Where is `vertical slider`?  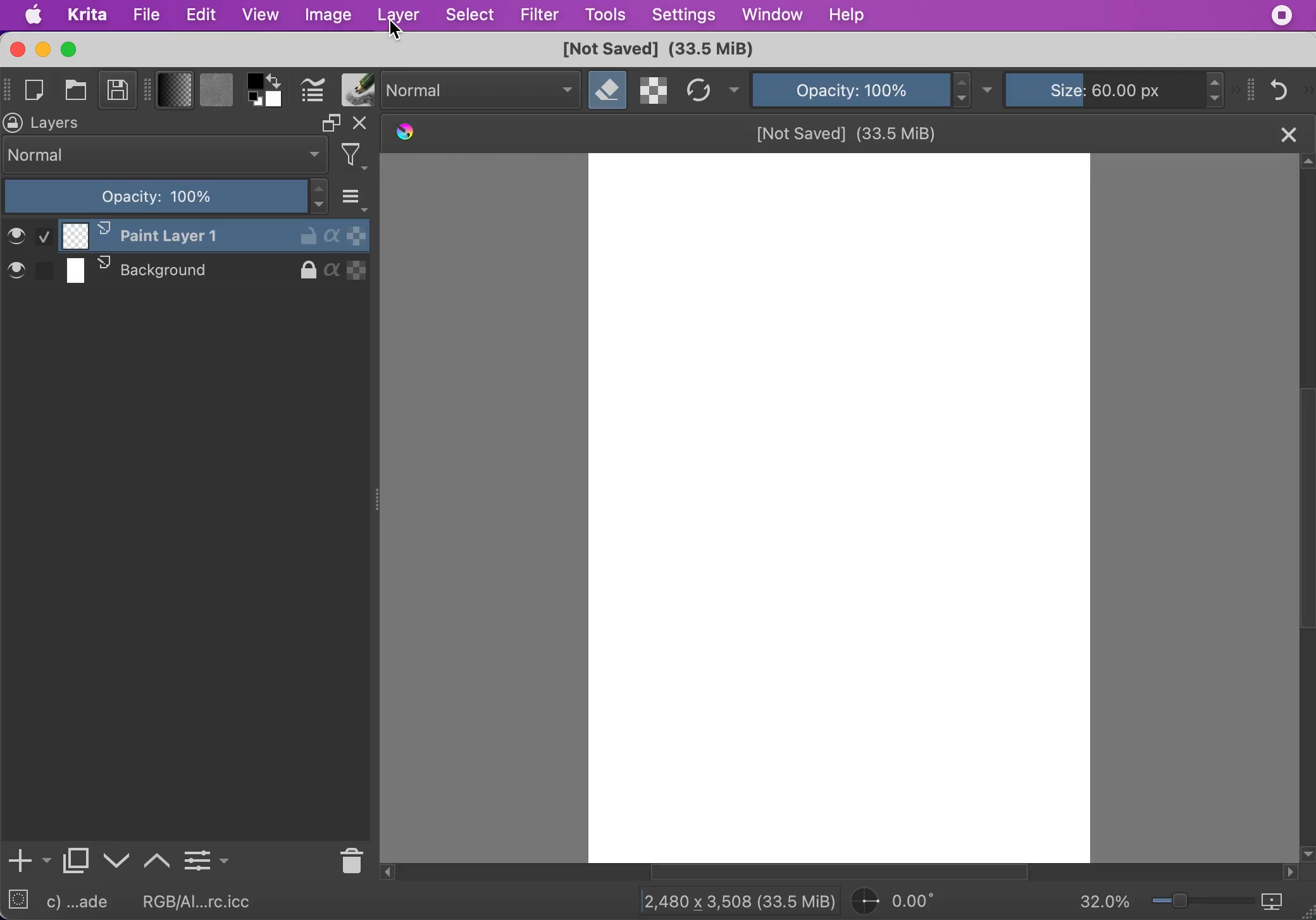 vertical slider is located at coordinates (1305, 451).